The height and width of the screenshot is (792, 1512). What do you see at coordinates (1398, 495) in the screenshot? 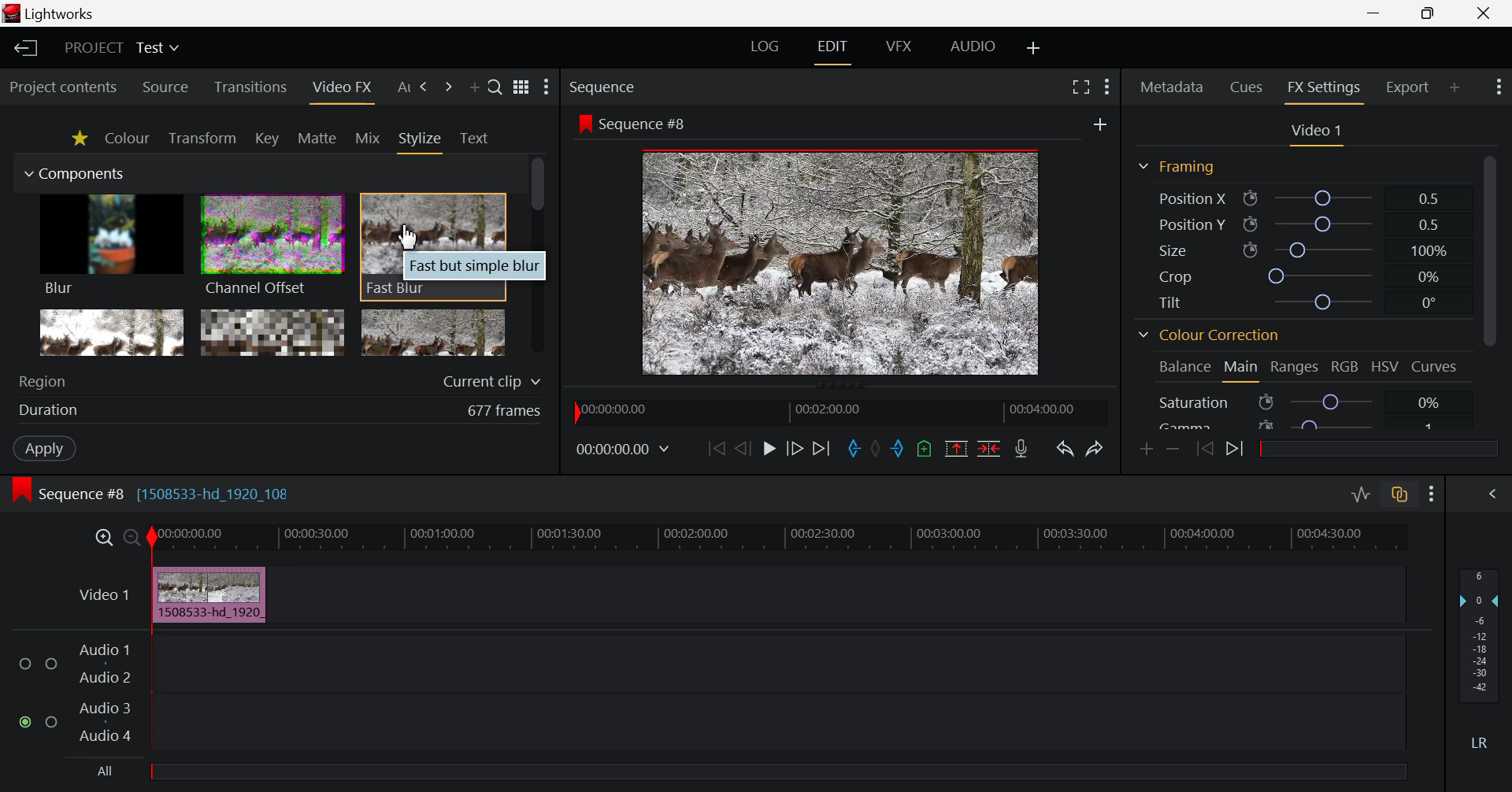
I see `Toggle Audio Track Sync` at bounding box center [1398, 495].